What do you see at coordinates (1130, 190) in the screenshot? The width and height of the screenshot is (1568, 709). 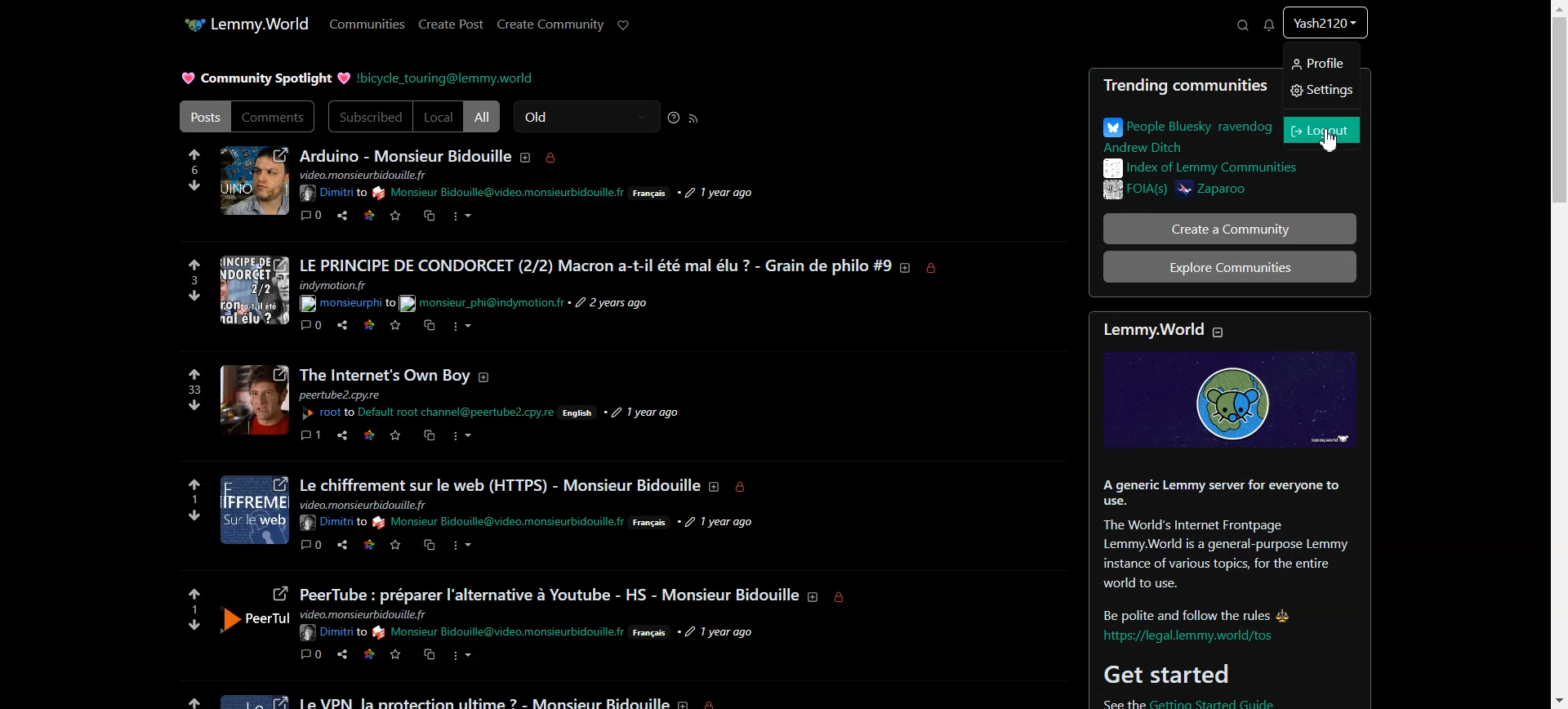 I see `FOIA(s)` at bounding box center [1130, 190].